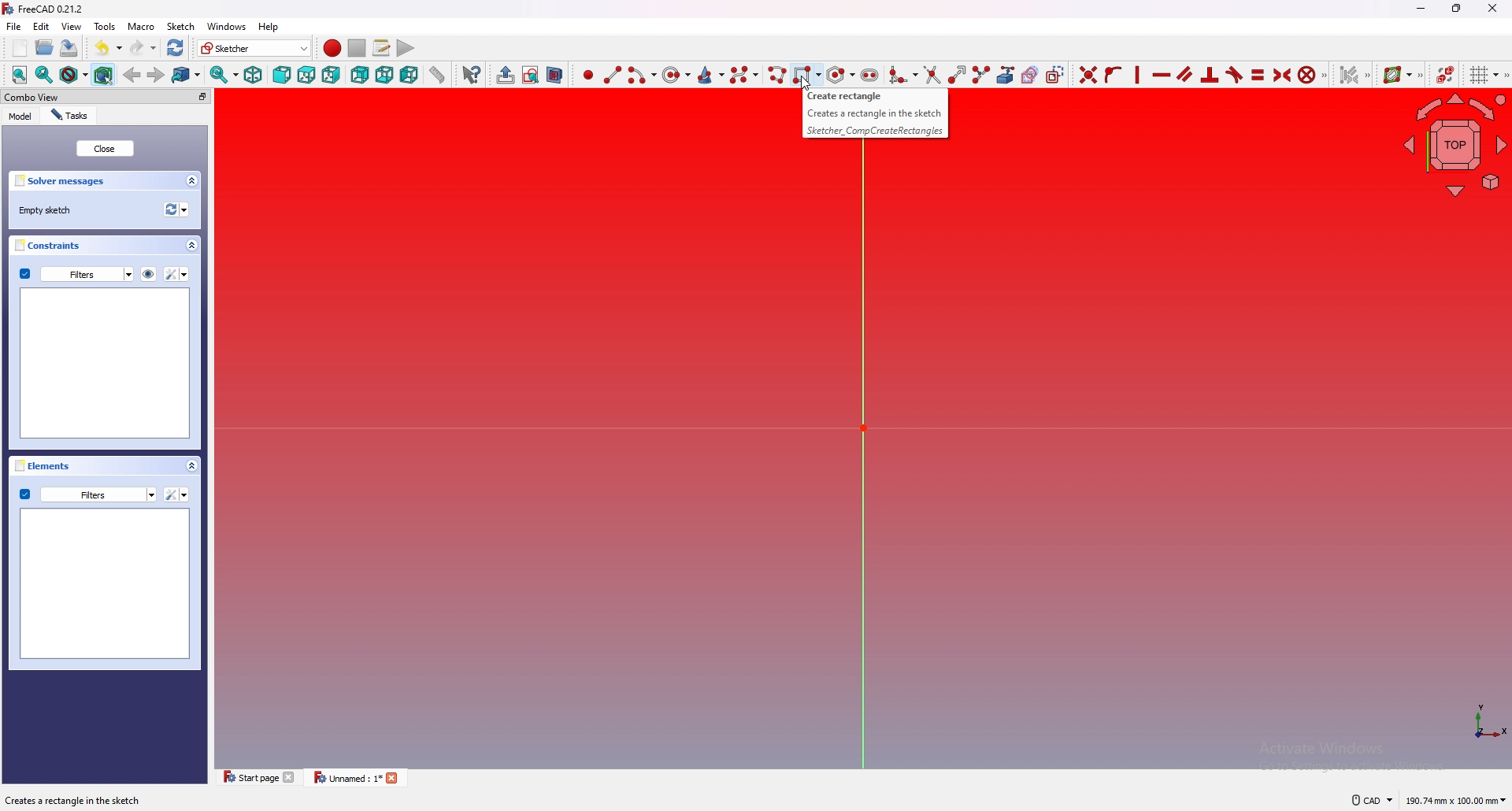 This screenshot has width=1512, height=811. Describe the element at coordinates (474, 74) in the screenshot. I see `whats this` at that location.